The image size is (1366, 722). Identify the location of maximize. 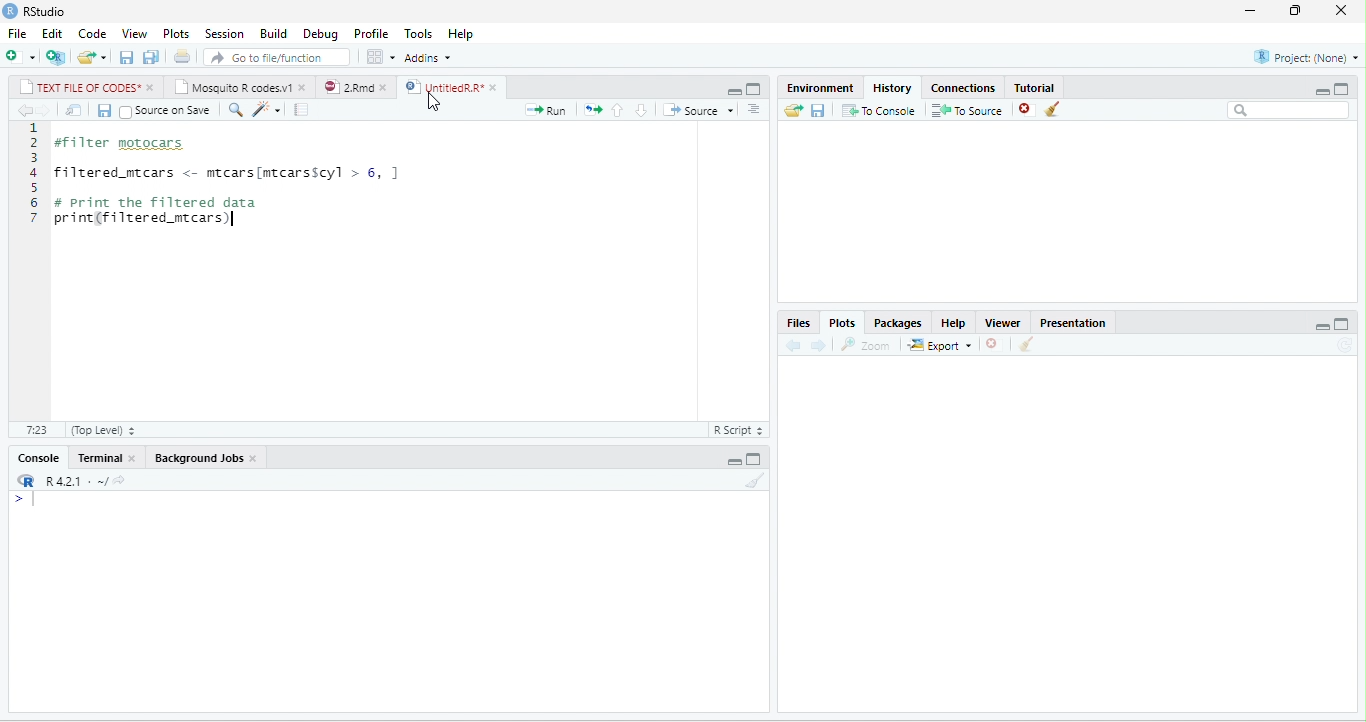
(753, 460).